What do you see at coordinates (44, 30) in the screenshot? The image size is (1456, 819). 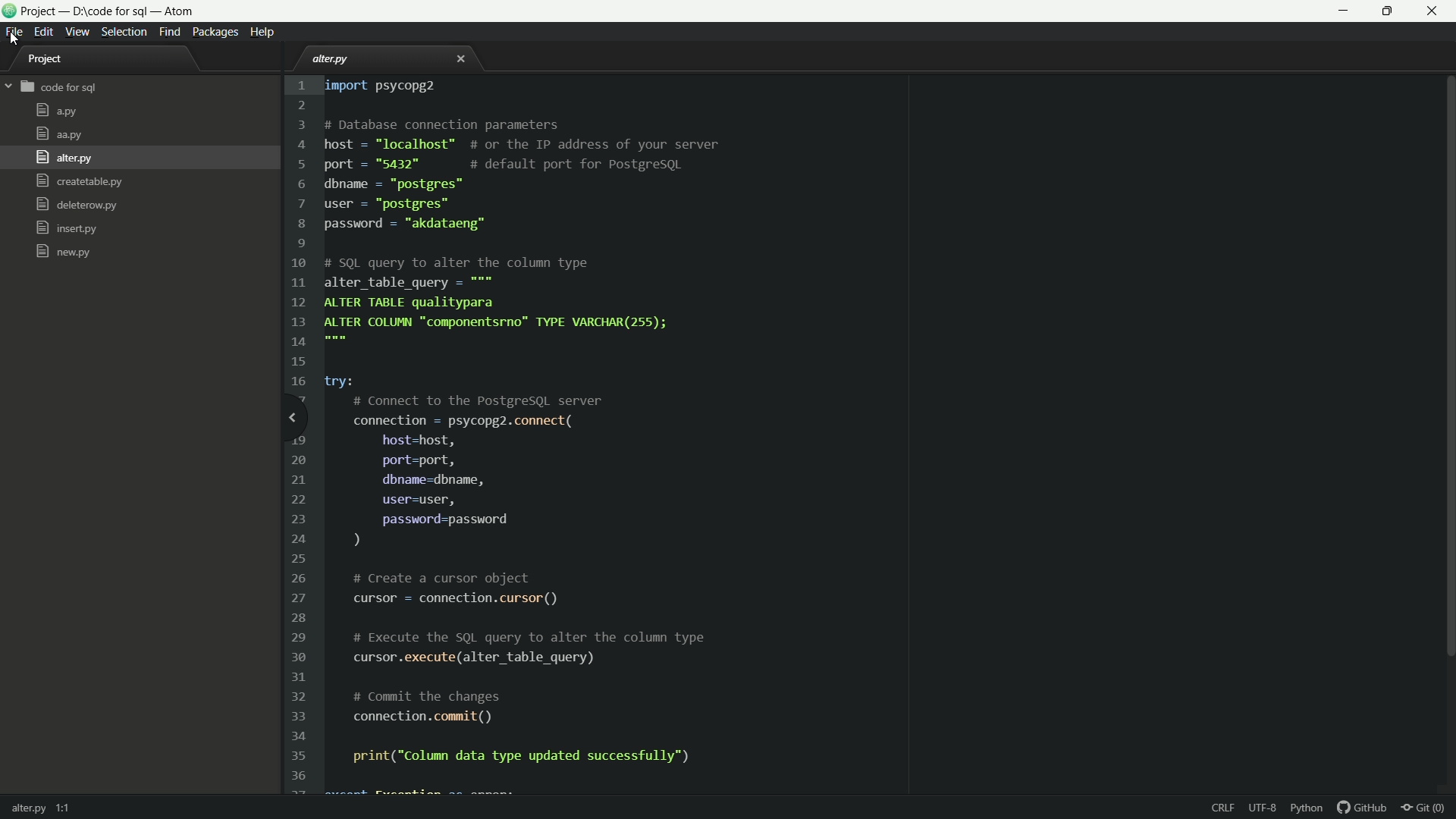 I see `edit menu` at bounding box center [44, 30].